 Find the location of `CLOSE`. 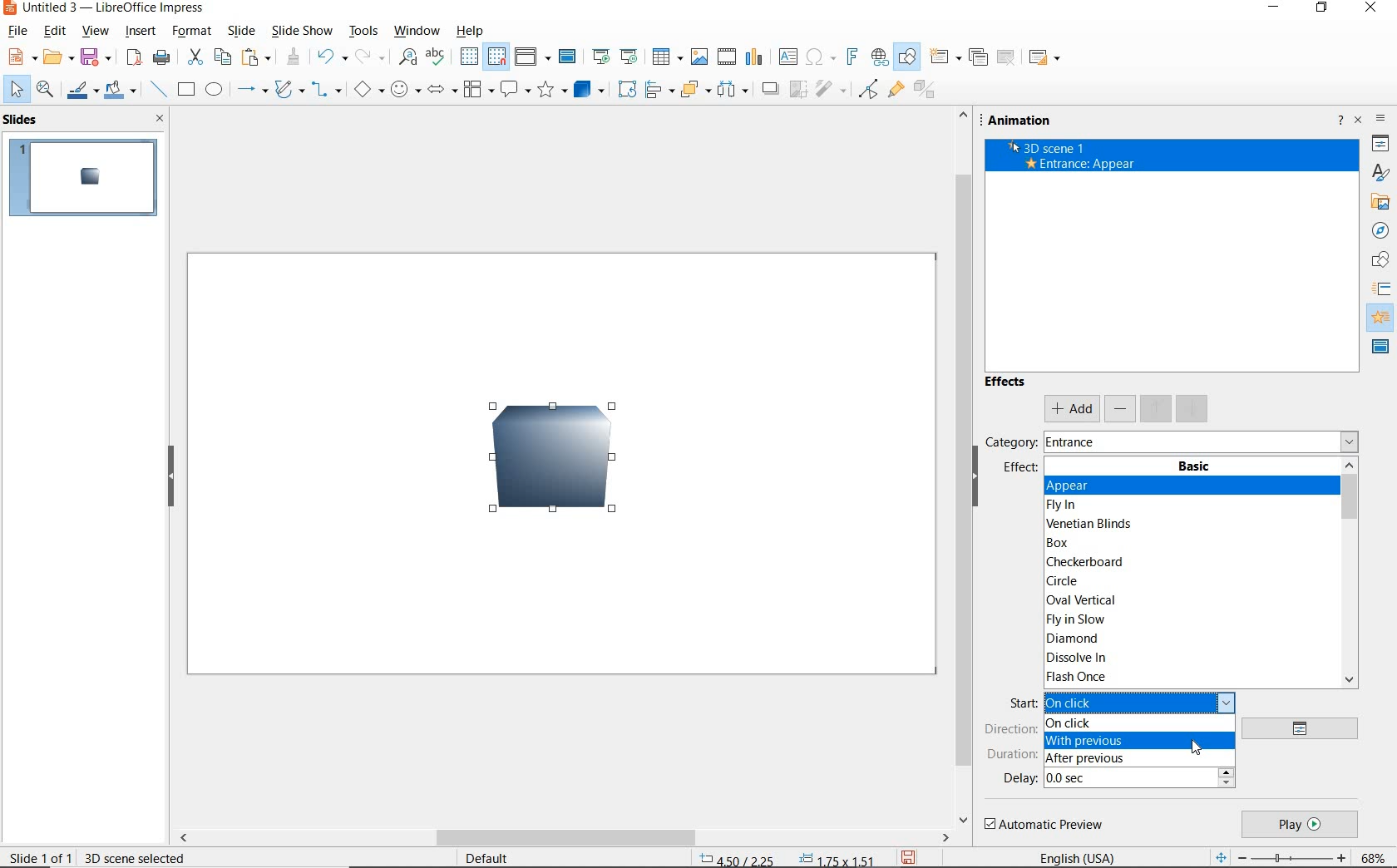

CLOSE is located at coordinates (1372, 8).